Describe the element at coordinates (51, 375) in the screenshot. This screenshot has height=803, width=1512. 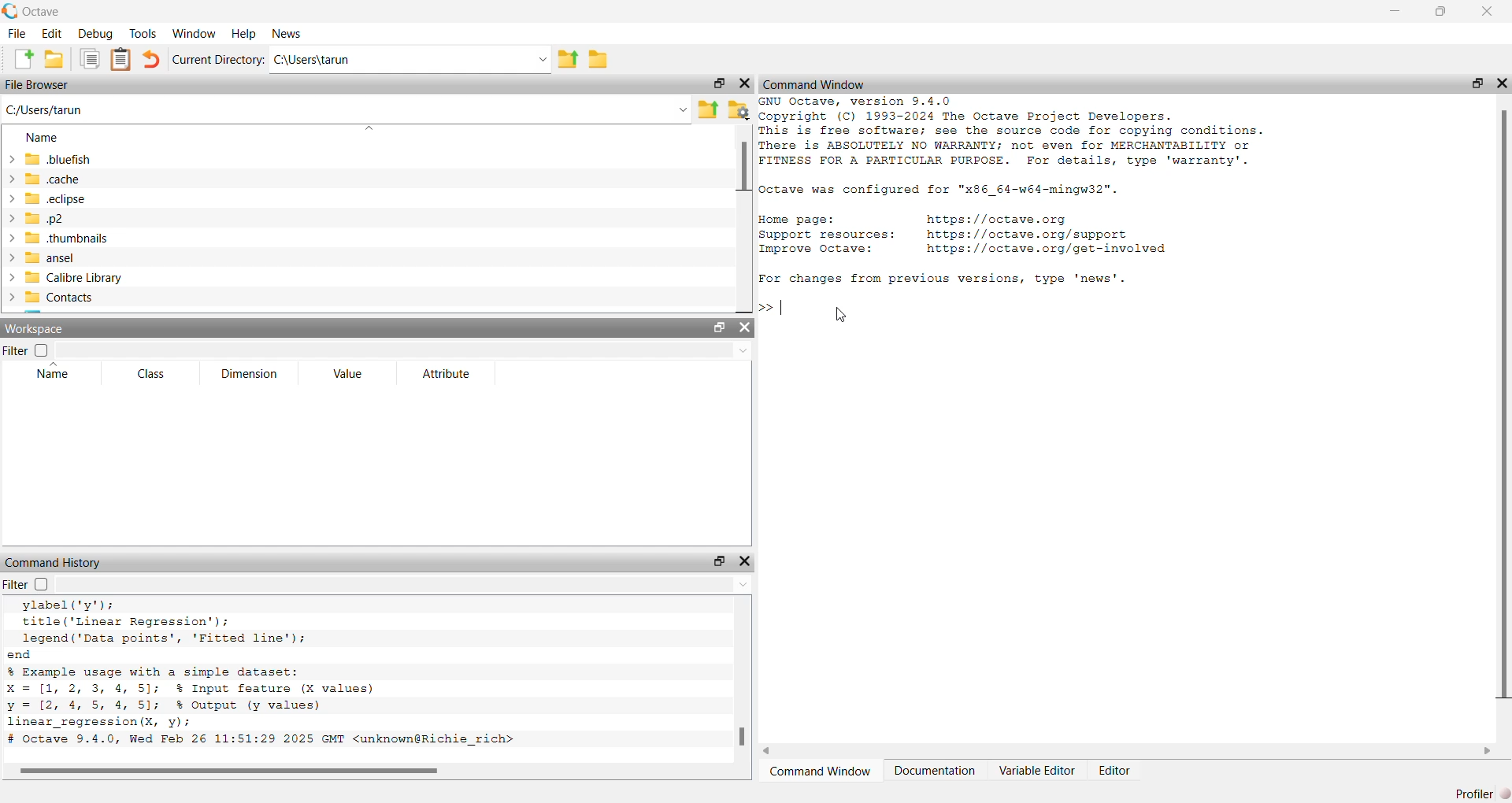
I see `name` at that location.